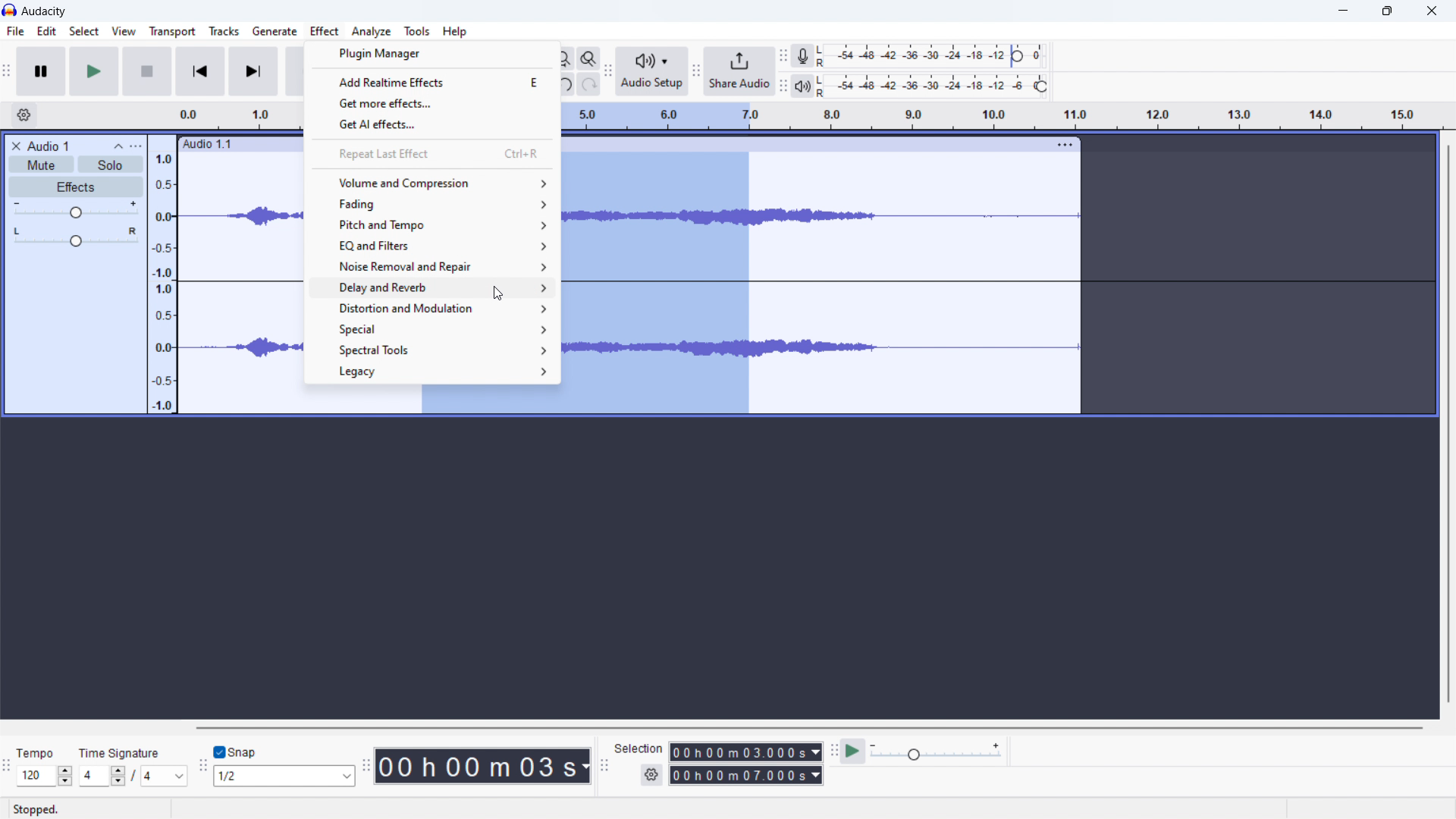 The width and height of the screenshot is (1456, 819). I want to click on solo, so click(108, 165).